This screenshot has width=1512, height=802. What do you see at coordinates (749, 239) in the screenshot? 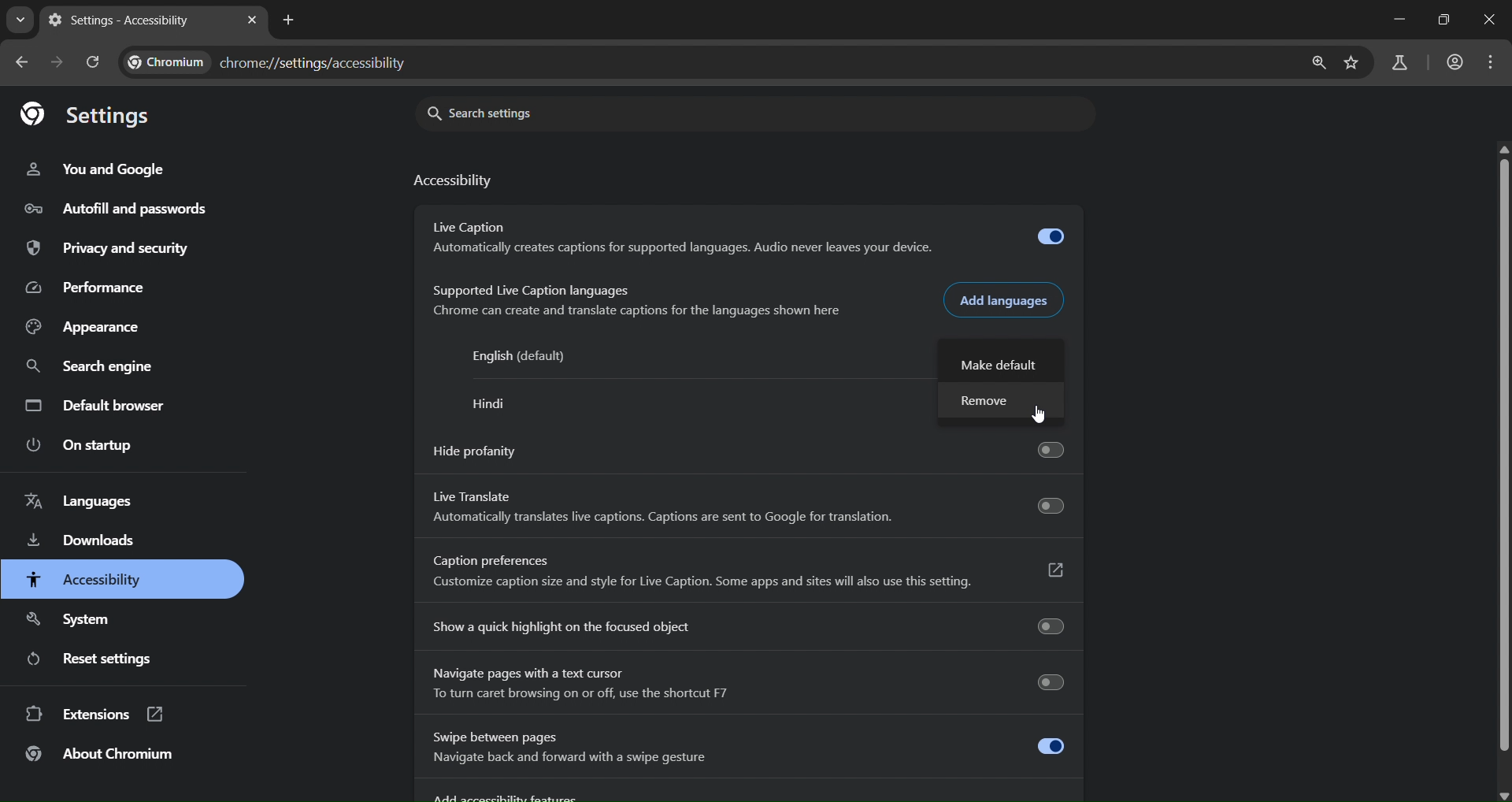
I see `Live Caption
Automatically creates captions for supported languages. Audio never leaves your device.` at bounding box center [749, 239].